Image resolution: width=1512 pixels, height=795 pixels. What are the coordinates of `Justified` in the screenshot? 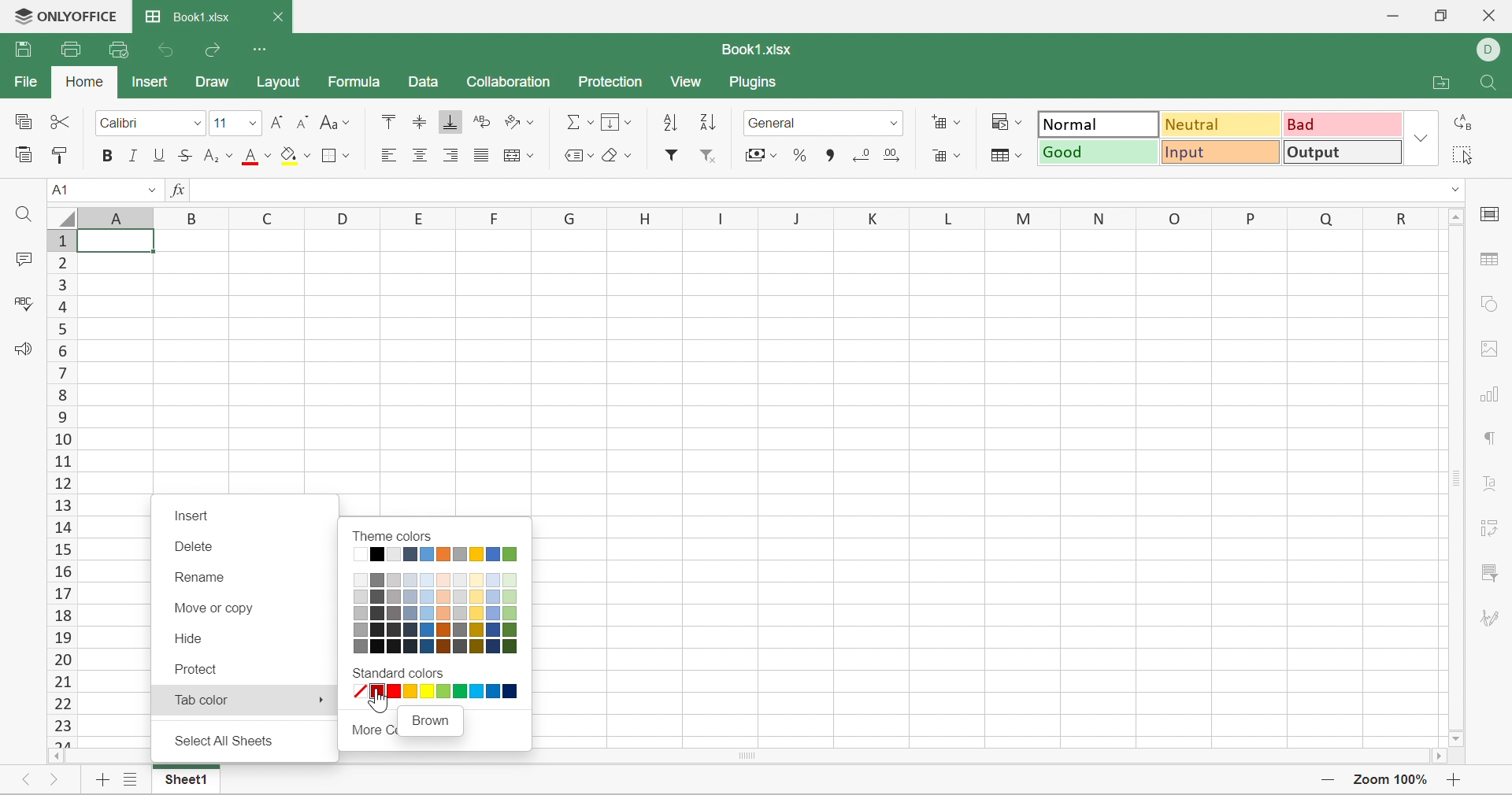 It's located at (478, 155).